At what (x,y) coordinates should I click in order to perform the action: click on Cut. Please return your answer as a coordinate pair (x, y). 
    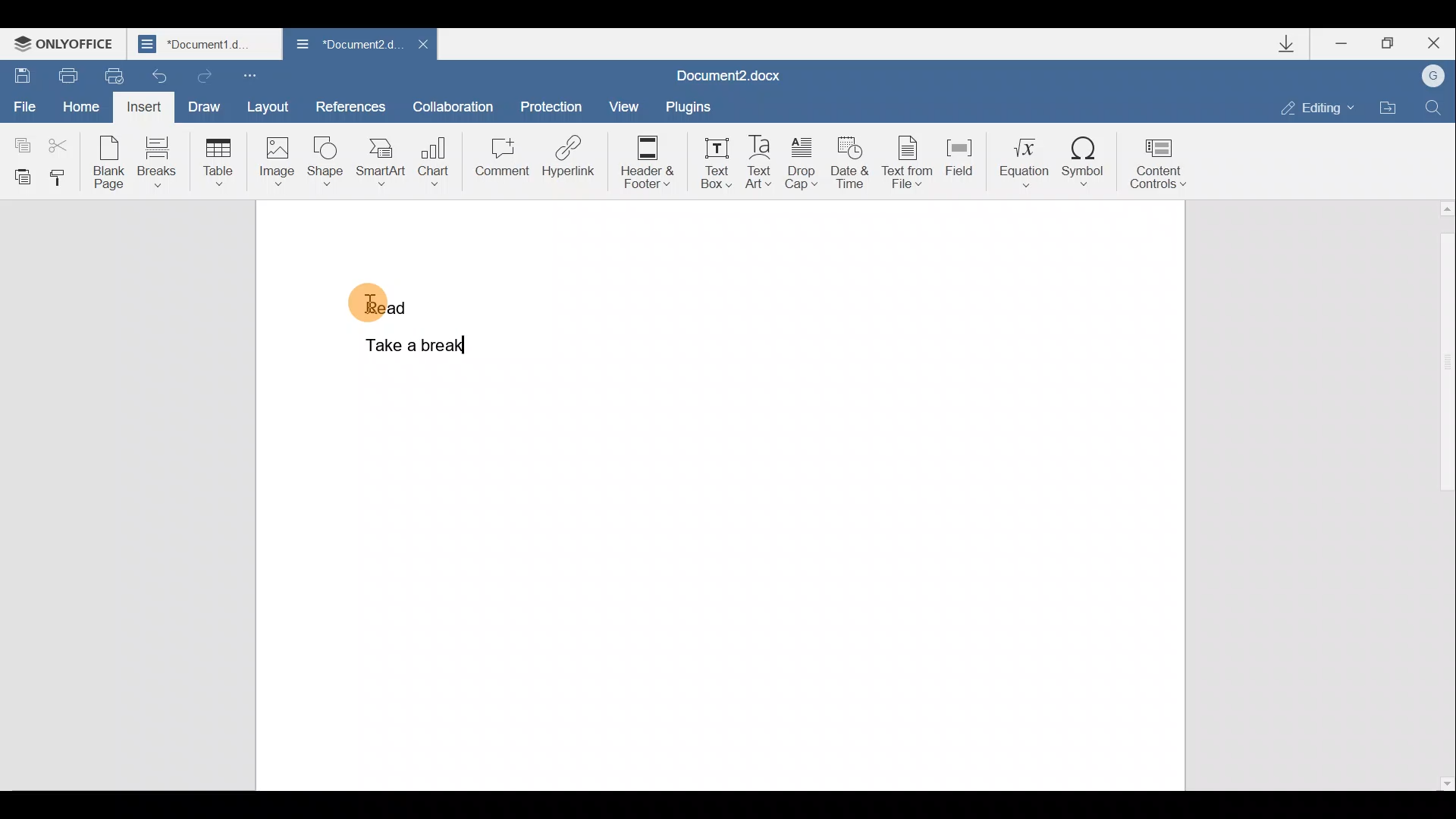
    Looking at the image, I should click on (63, 140).